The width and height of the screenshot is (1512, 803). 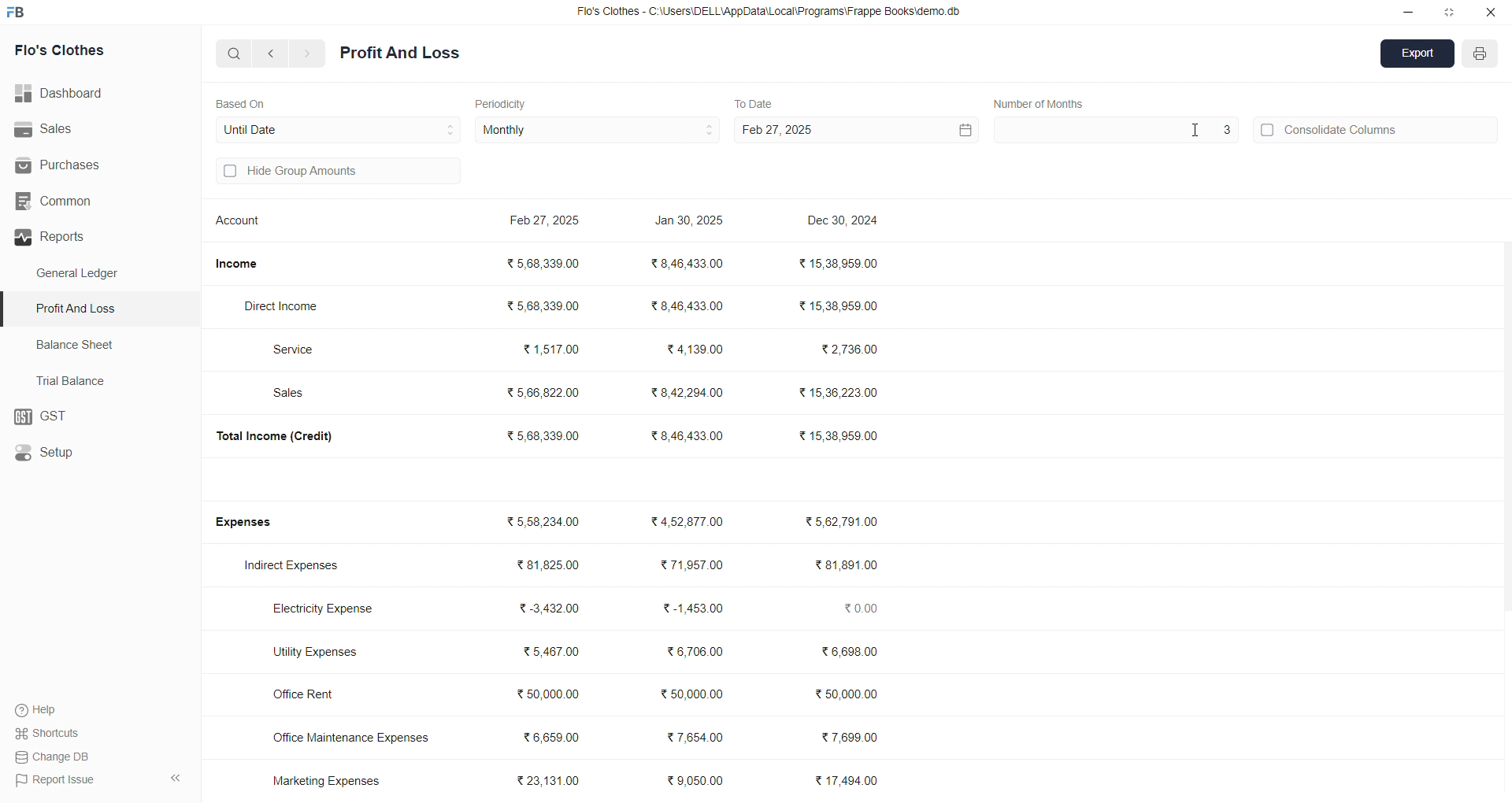 What do you see at coordinates (753, 102) in the screenshot?
I see `To Date` at bounding box center [753, 102].